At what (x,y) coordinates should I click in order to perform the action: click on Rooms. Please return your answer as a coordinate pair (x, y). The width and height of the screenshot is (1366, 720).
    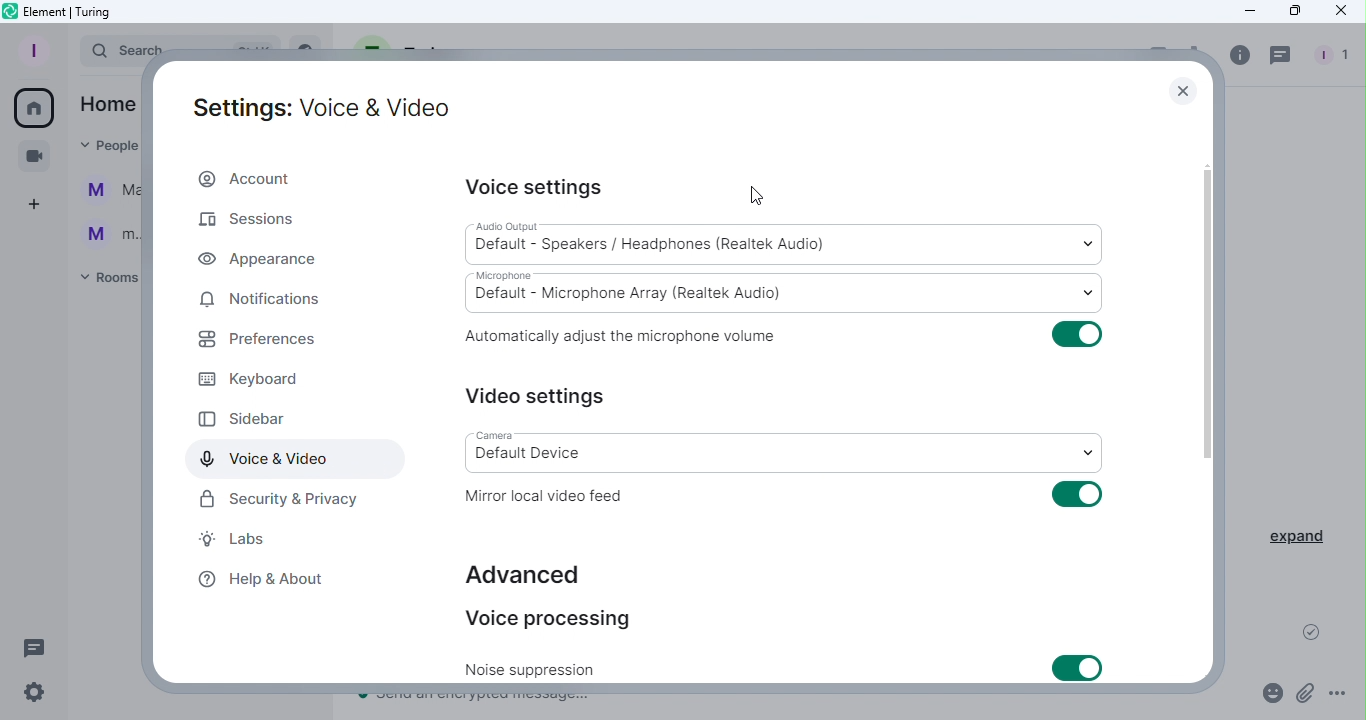
    Looking at the image, I should click on (110, 282).